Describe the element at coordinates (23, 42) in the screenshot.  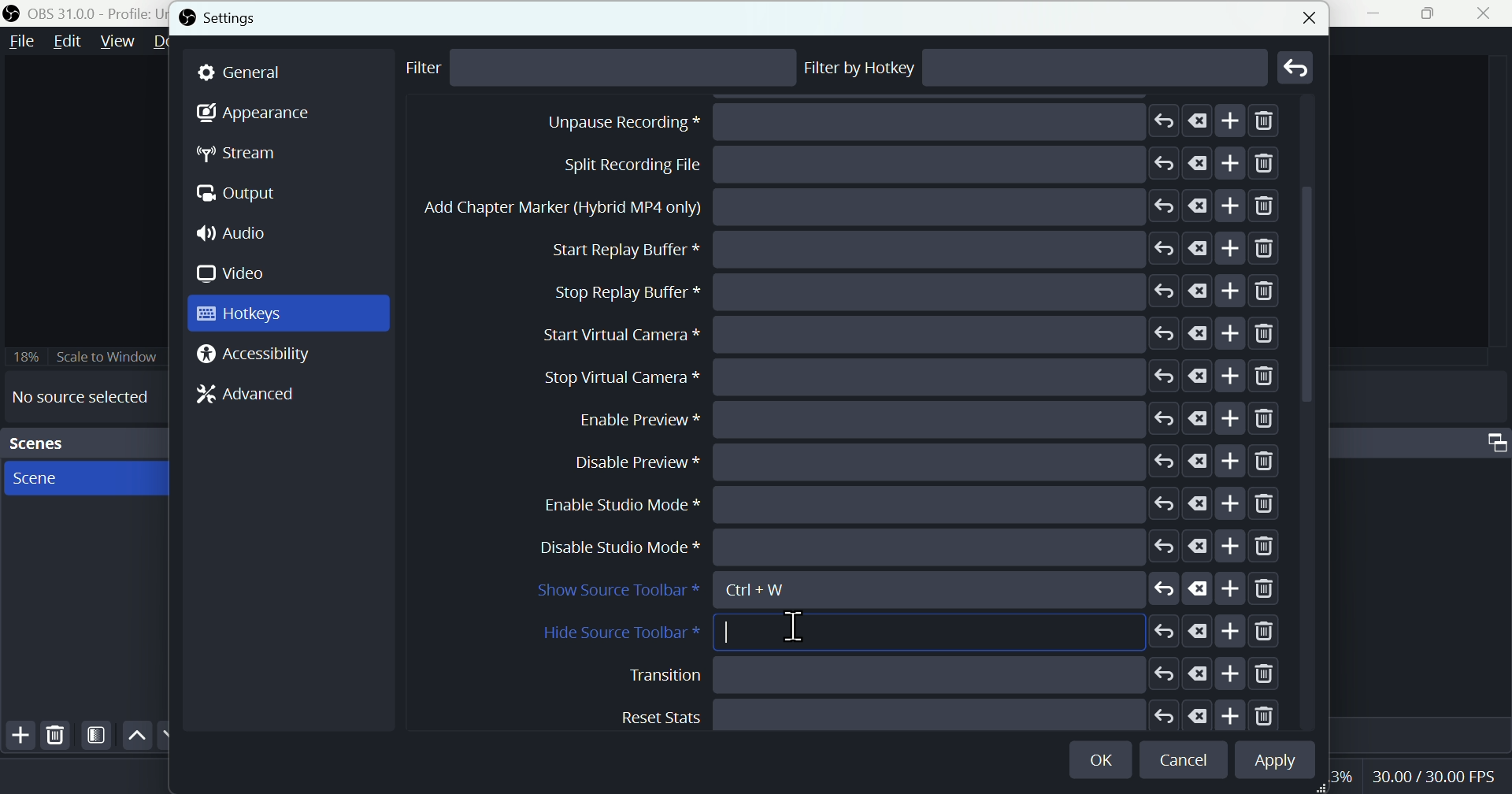
I see `file` at that location.